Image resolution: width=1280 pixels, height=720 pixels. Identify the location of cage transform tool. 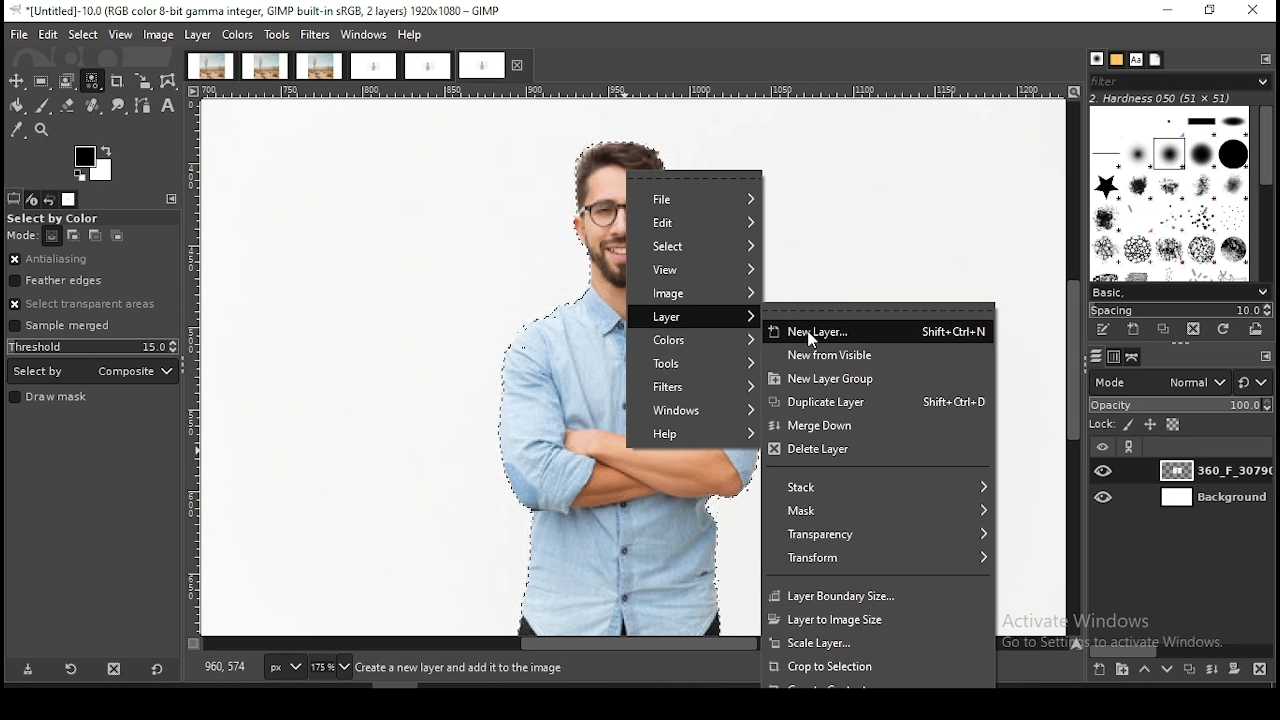
(170, 81).